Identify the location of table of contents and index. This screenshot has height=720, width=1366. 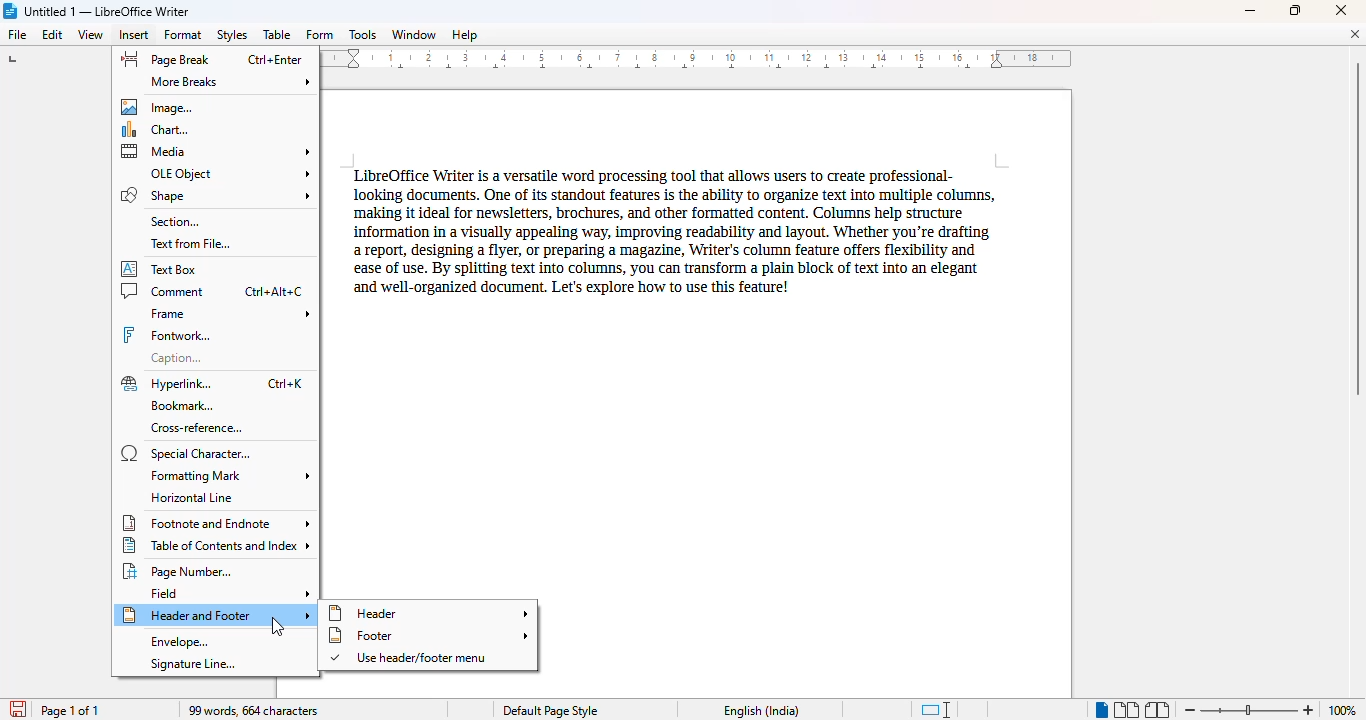
(218, 545).